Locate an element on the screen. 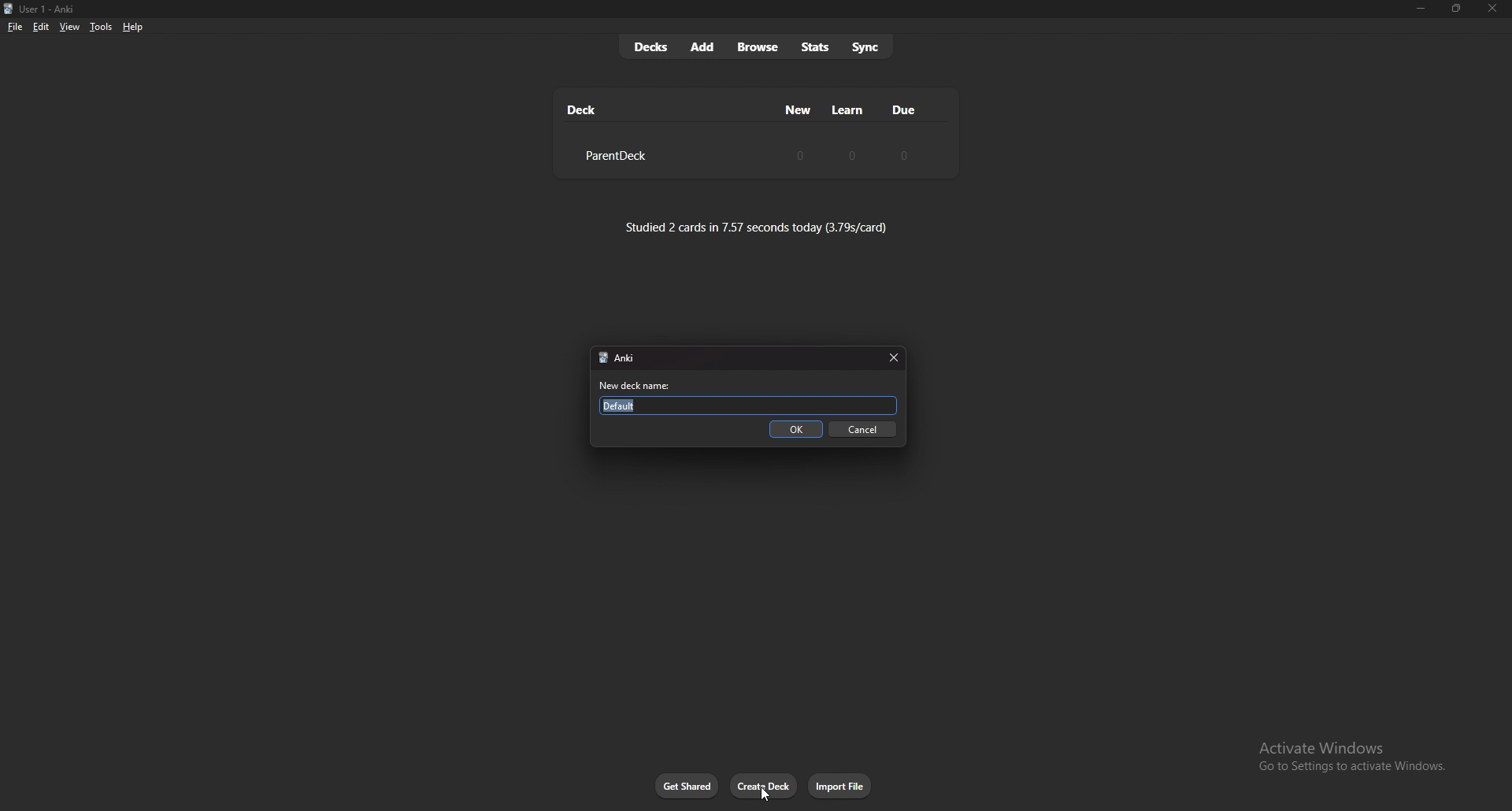 This screenshot has width=1512, height=811. get shared is located at coordinates (687, 787).